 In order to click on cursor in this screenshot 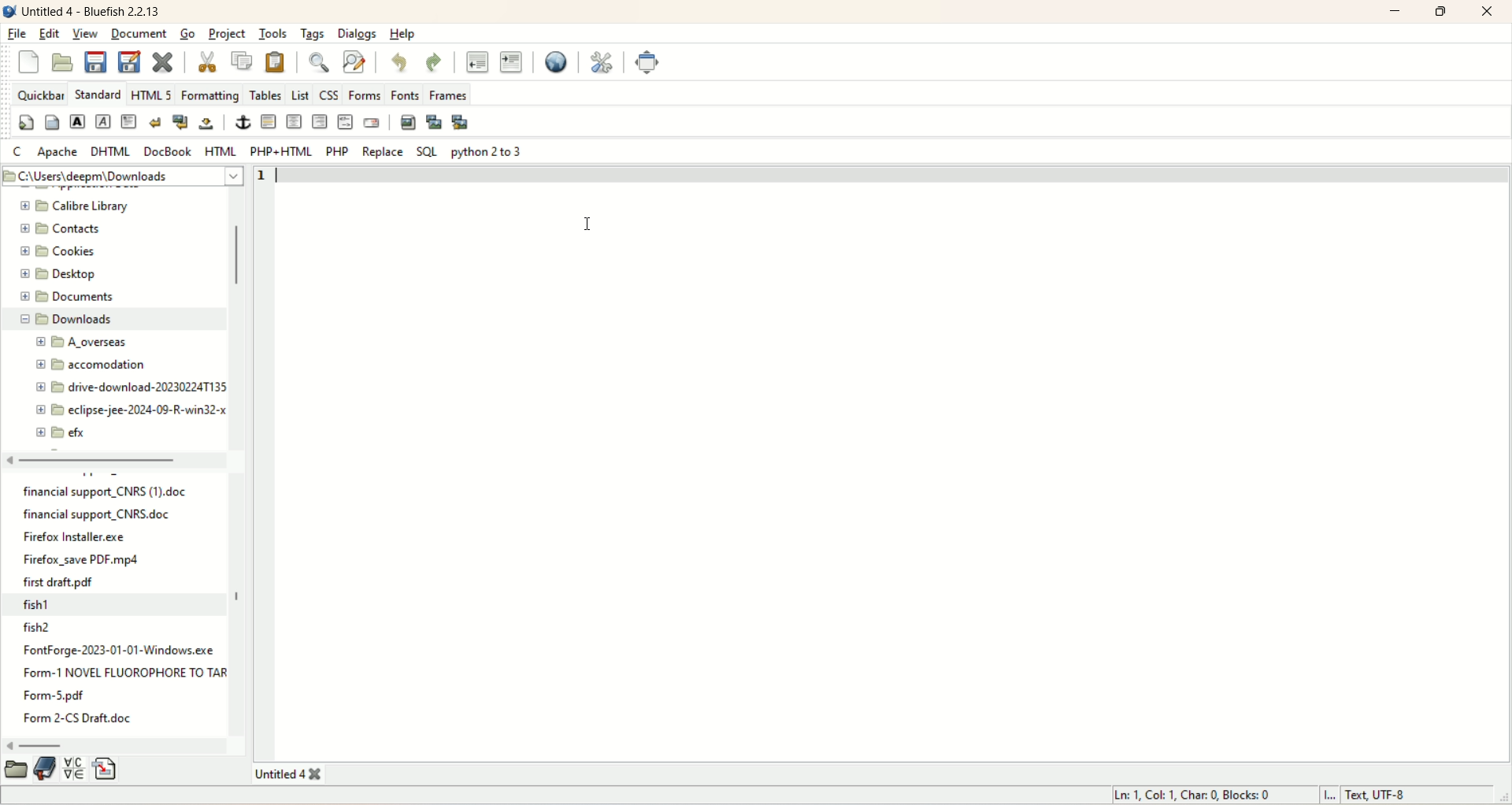, I will do `click(287, 175)`.